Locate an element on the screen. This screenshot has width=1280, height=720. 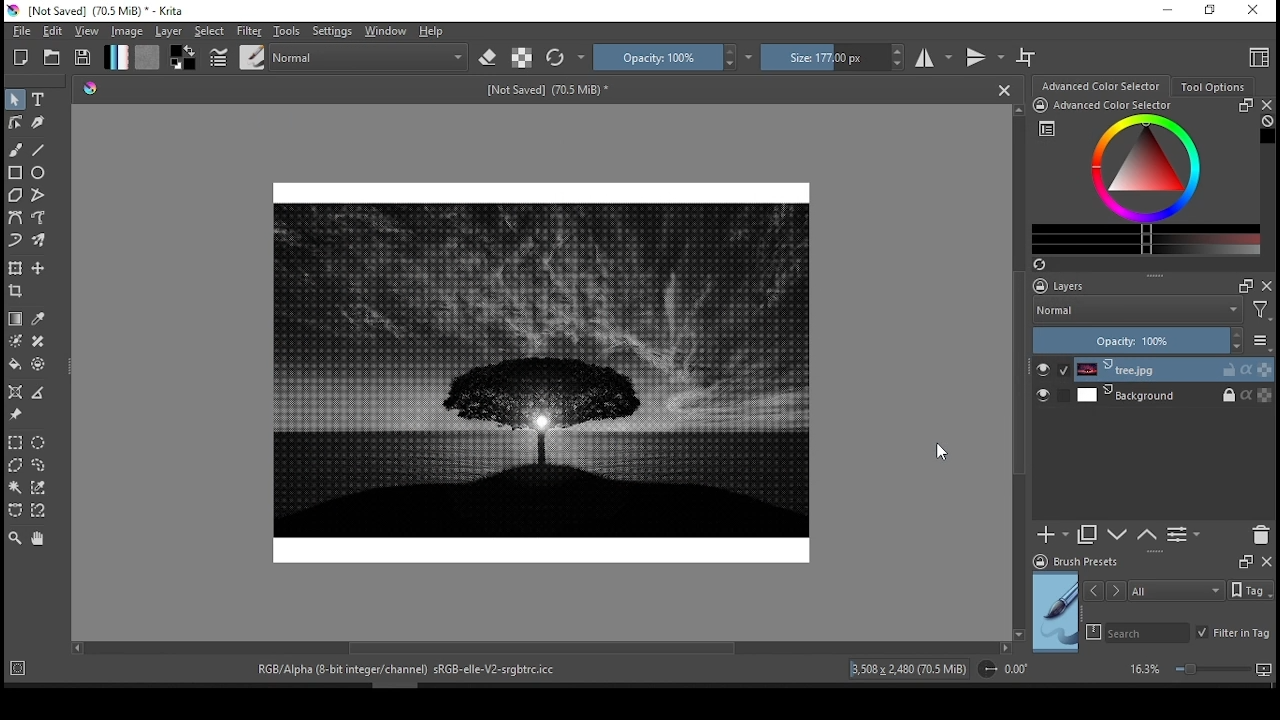
layer is located at coordinates (168, 32).